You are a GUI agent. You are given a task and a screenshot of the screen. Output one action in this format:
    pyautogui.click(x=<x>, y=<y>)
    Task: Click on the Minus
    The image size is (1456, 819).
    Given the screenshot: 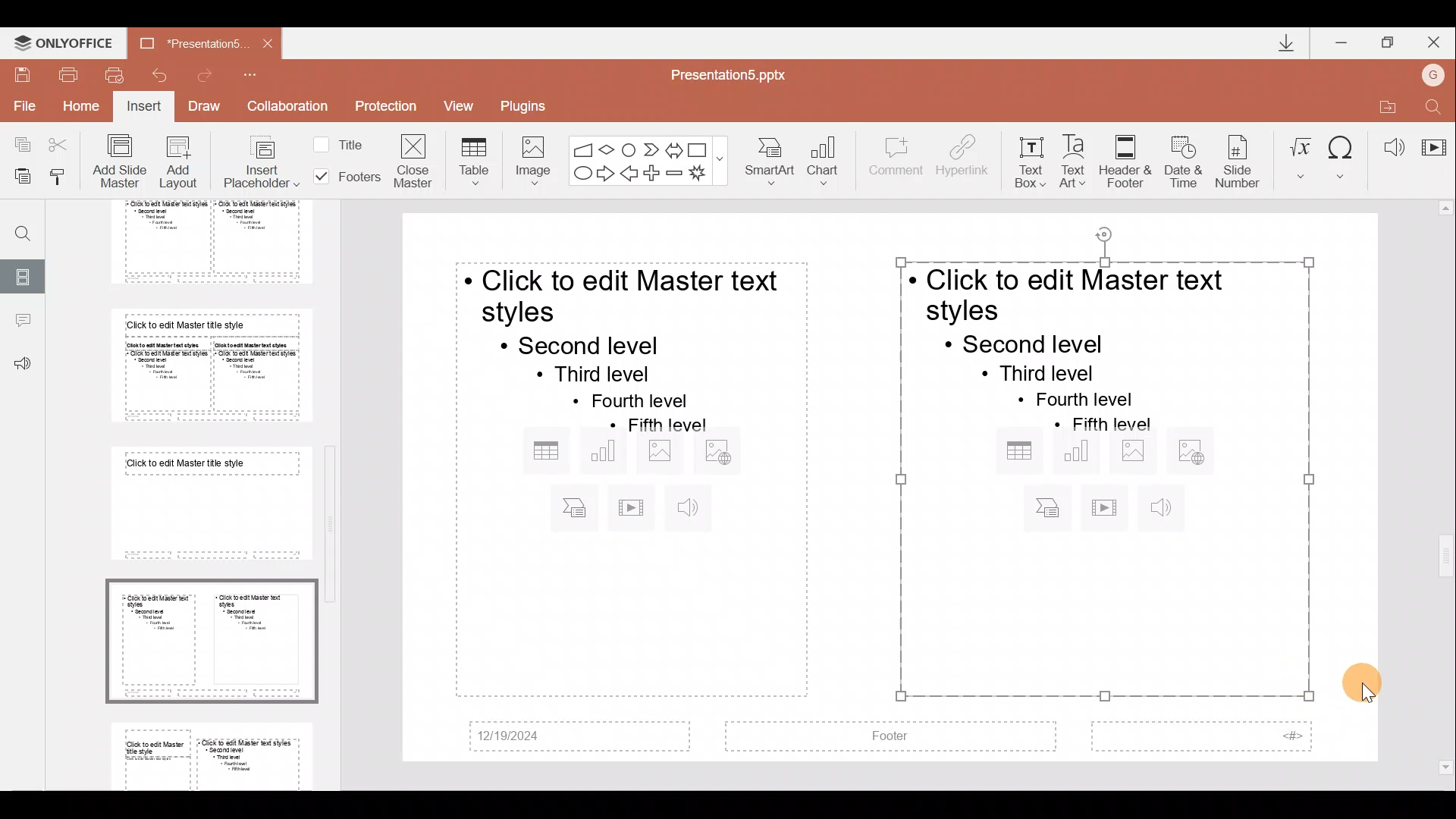 What is the action you would take?
    pyautogui.click(x=675, y=173)
    